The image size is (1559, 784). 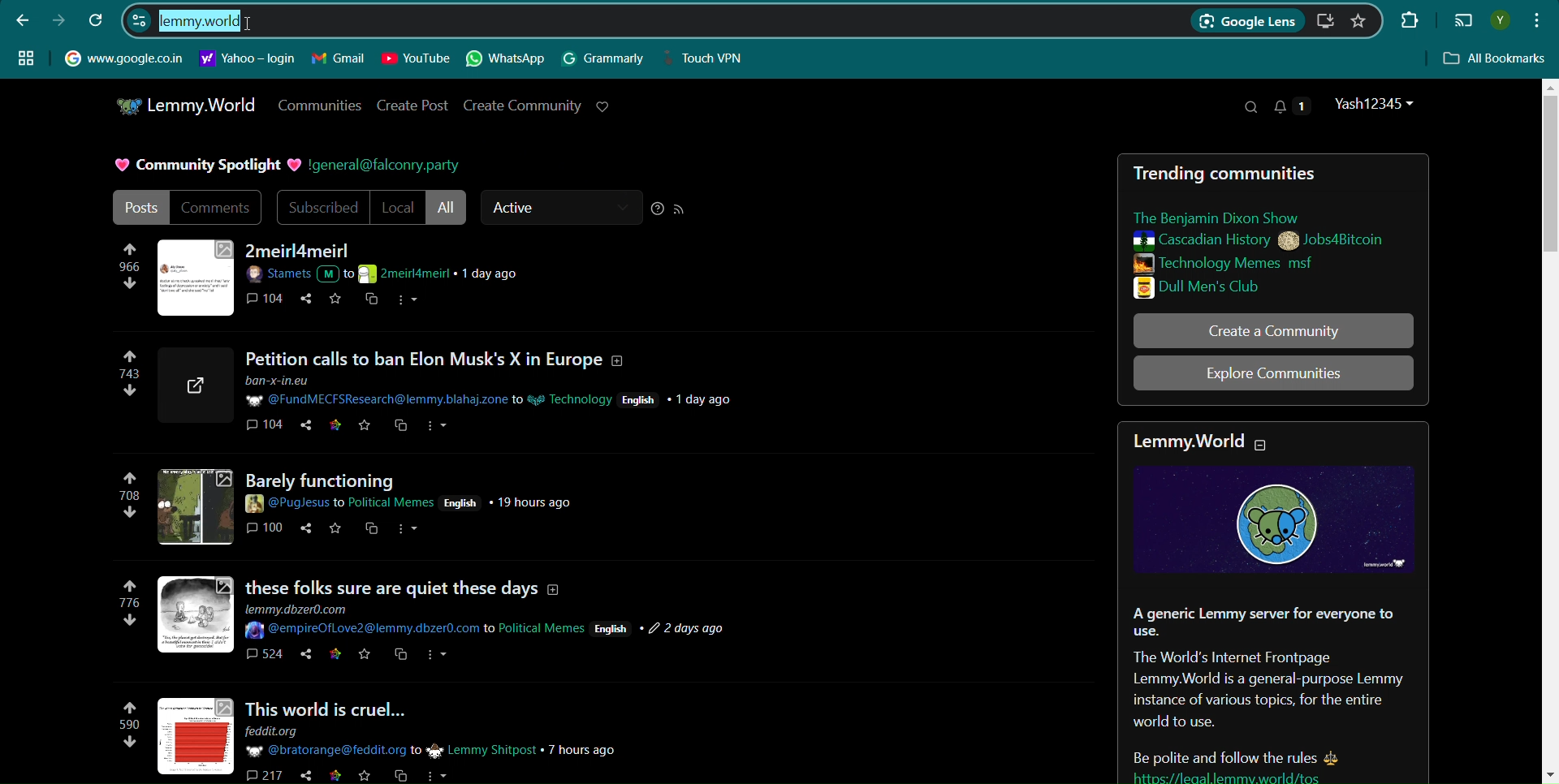 I want to click on Google Lens, so click(x=1246, y=22).